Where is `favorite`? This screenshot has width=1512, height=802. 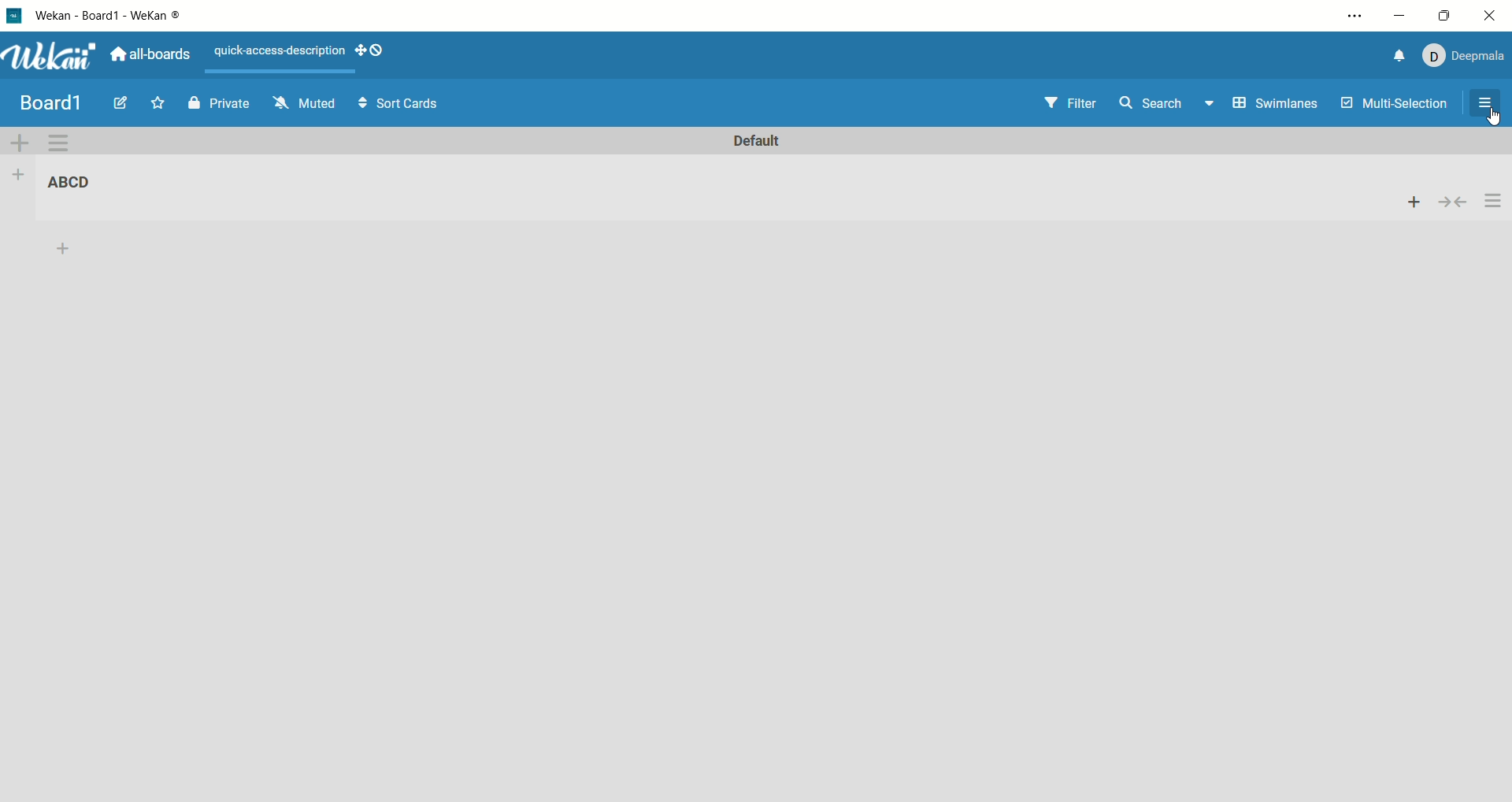 favorite is located at coordinates (157, 102).